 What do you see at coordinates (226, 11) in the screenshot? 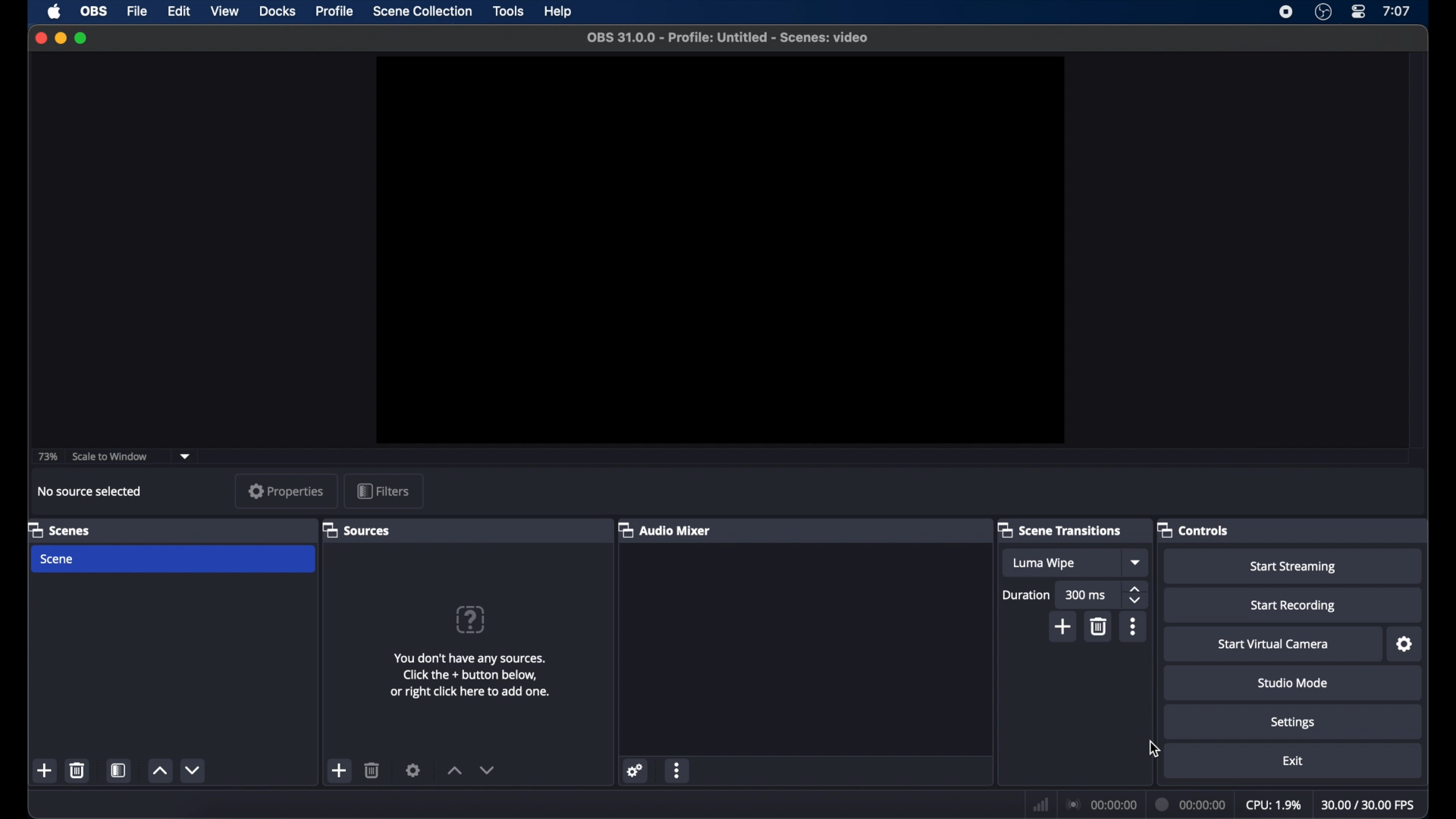
I see `view` at bounding box center [226, 11].